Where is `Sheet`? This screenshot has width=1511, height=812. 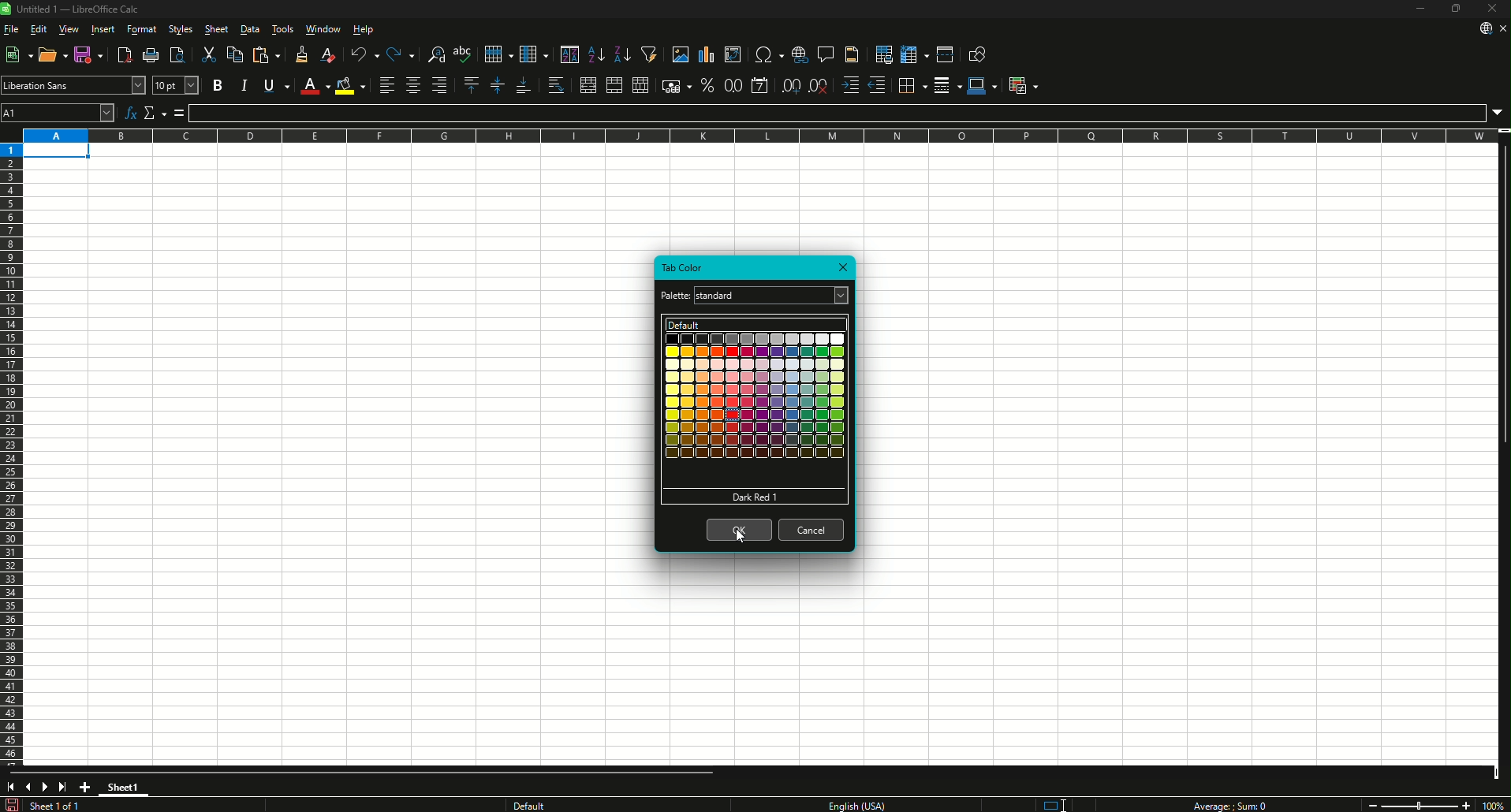
Sheet is located at coordinates (218, 28).